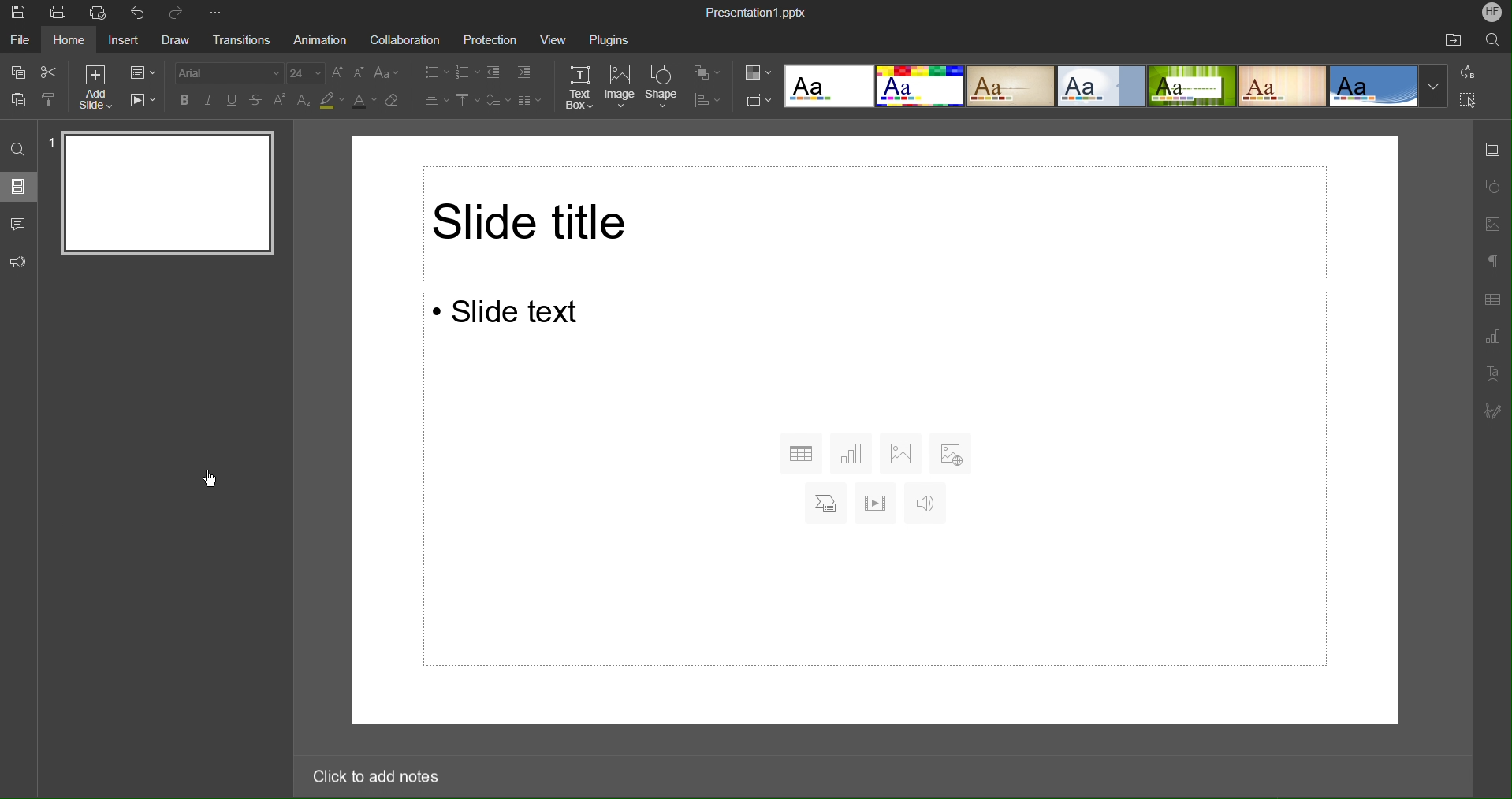 The height and width of the screenshot is (799, 1512). What do you see at coordinates (467, 98) in the screenshot?
I see `Vertical Align` at bounding box center [467, 98].